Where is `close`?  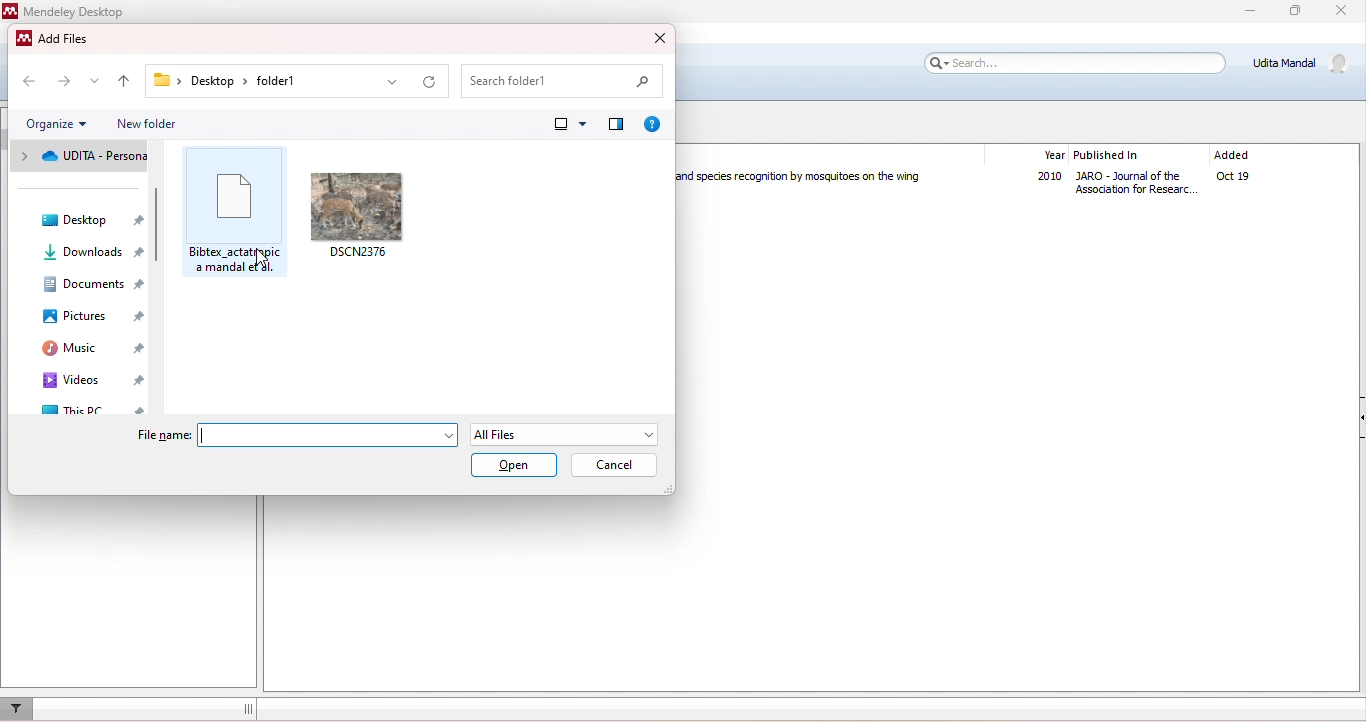 close is located at coordinates (657, 37).